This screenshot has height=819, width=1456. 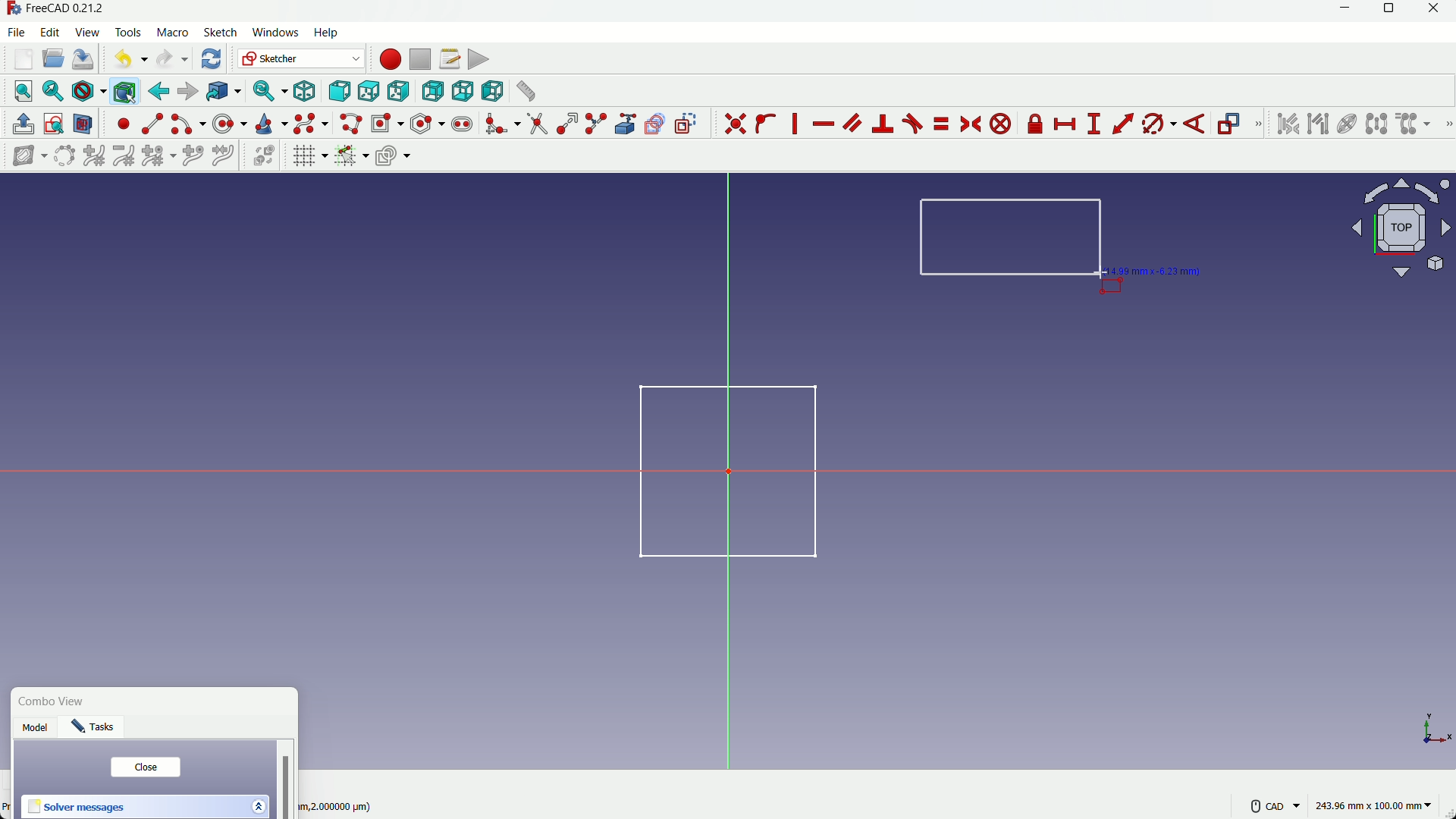 I want to click on constraint equal, so click(x=940, y=124).